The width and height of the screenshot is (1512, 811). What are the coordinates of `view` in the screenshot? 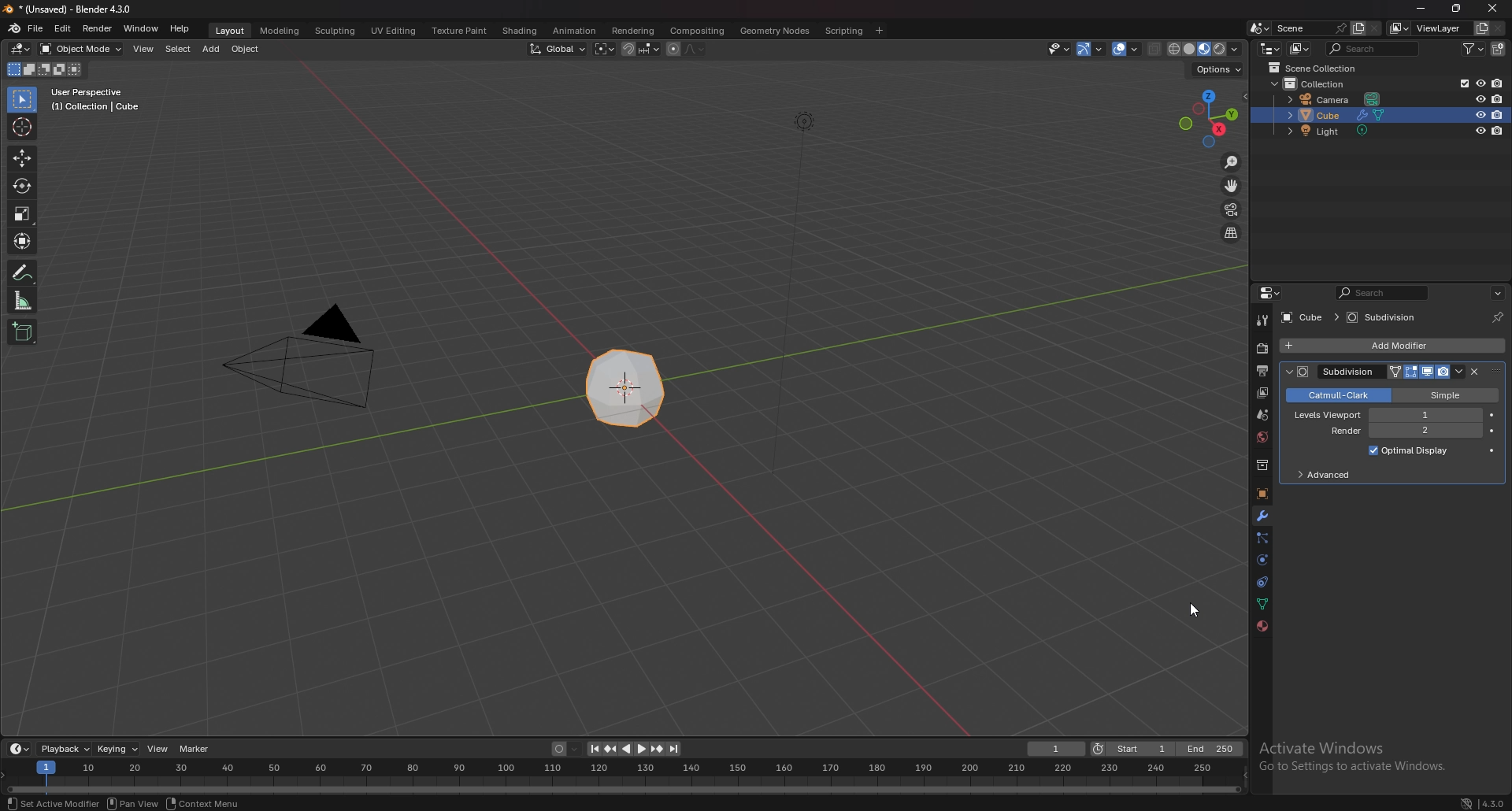 It's located at (145, 49).